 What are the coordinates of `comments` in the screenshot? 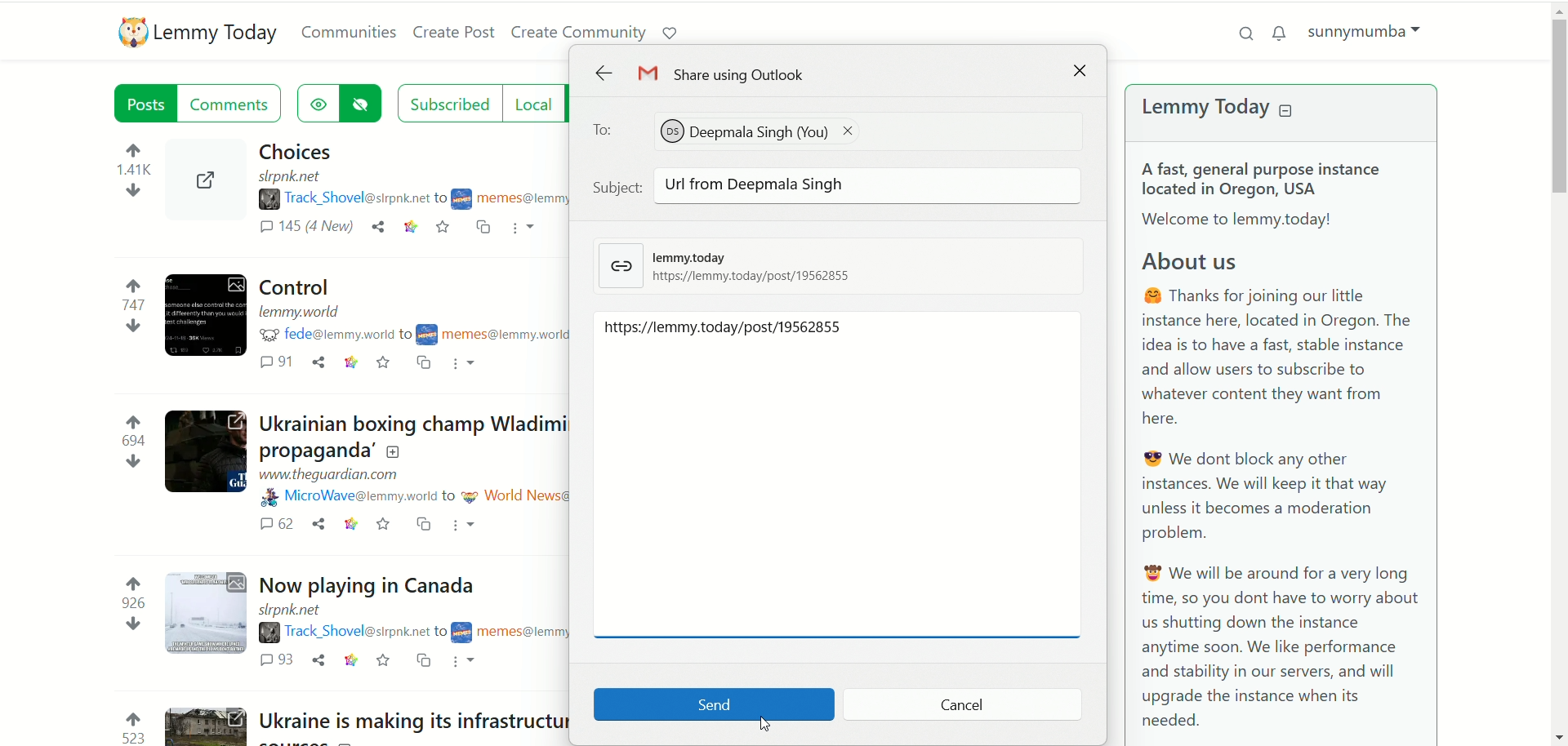 It's located at (279, 661).